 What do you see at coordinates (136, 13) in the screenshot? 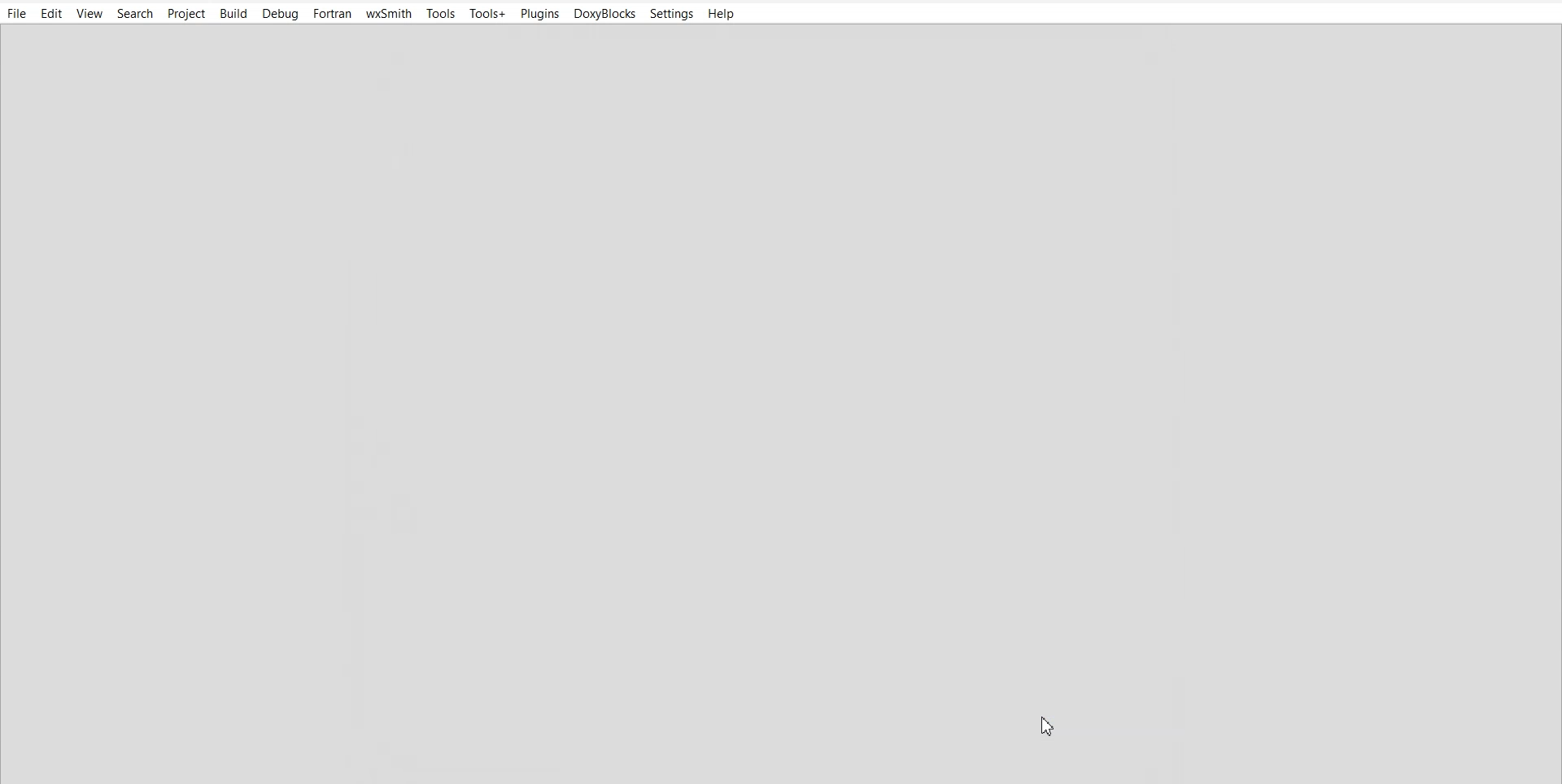
I see `Search` at bounding box center [136, 13].